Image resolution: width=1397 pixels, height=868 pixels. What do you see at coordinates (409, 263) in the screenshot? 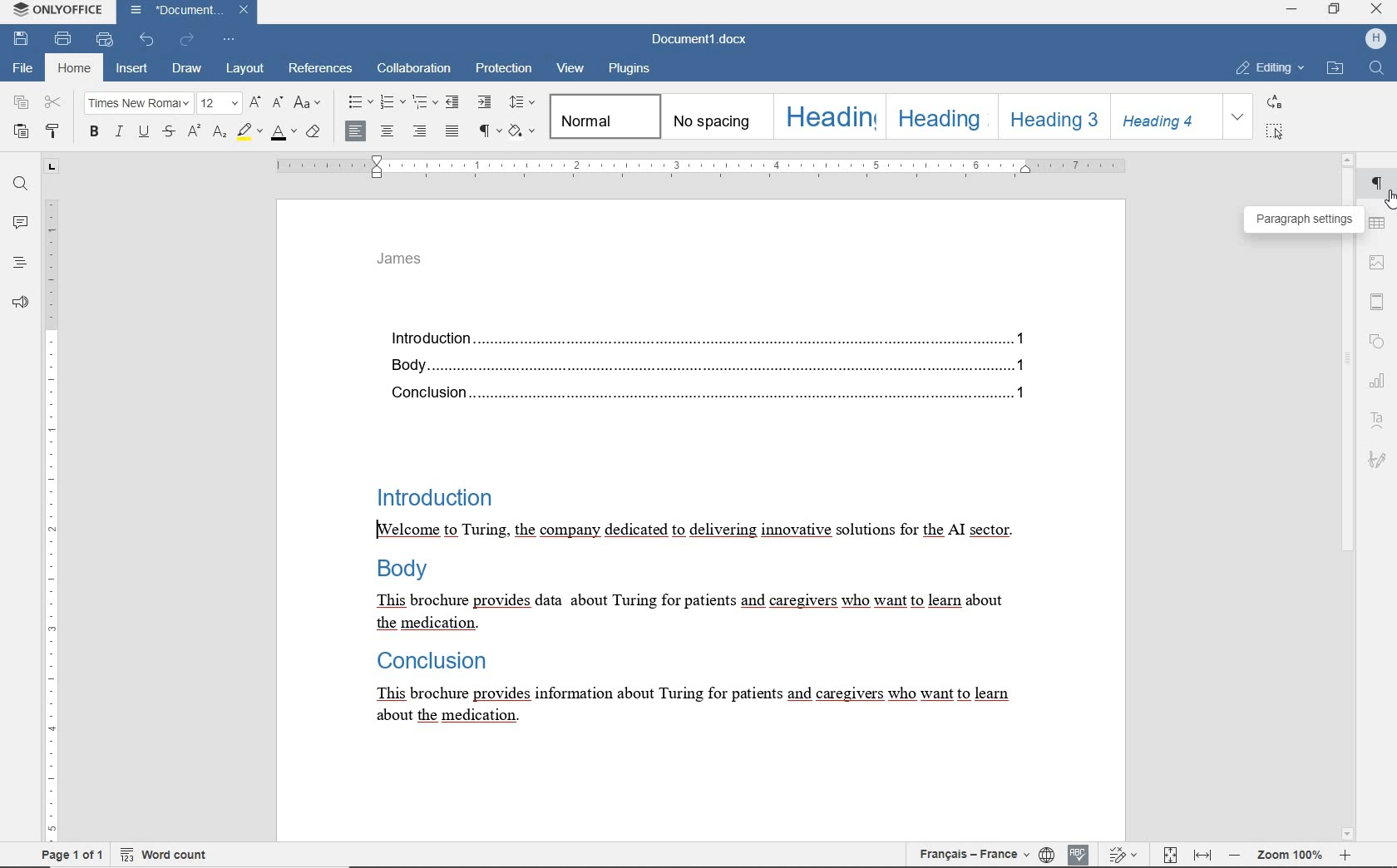
I see `James` at bounding box center [409, 263].